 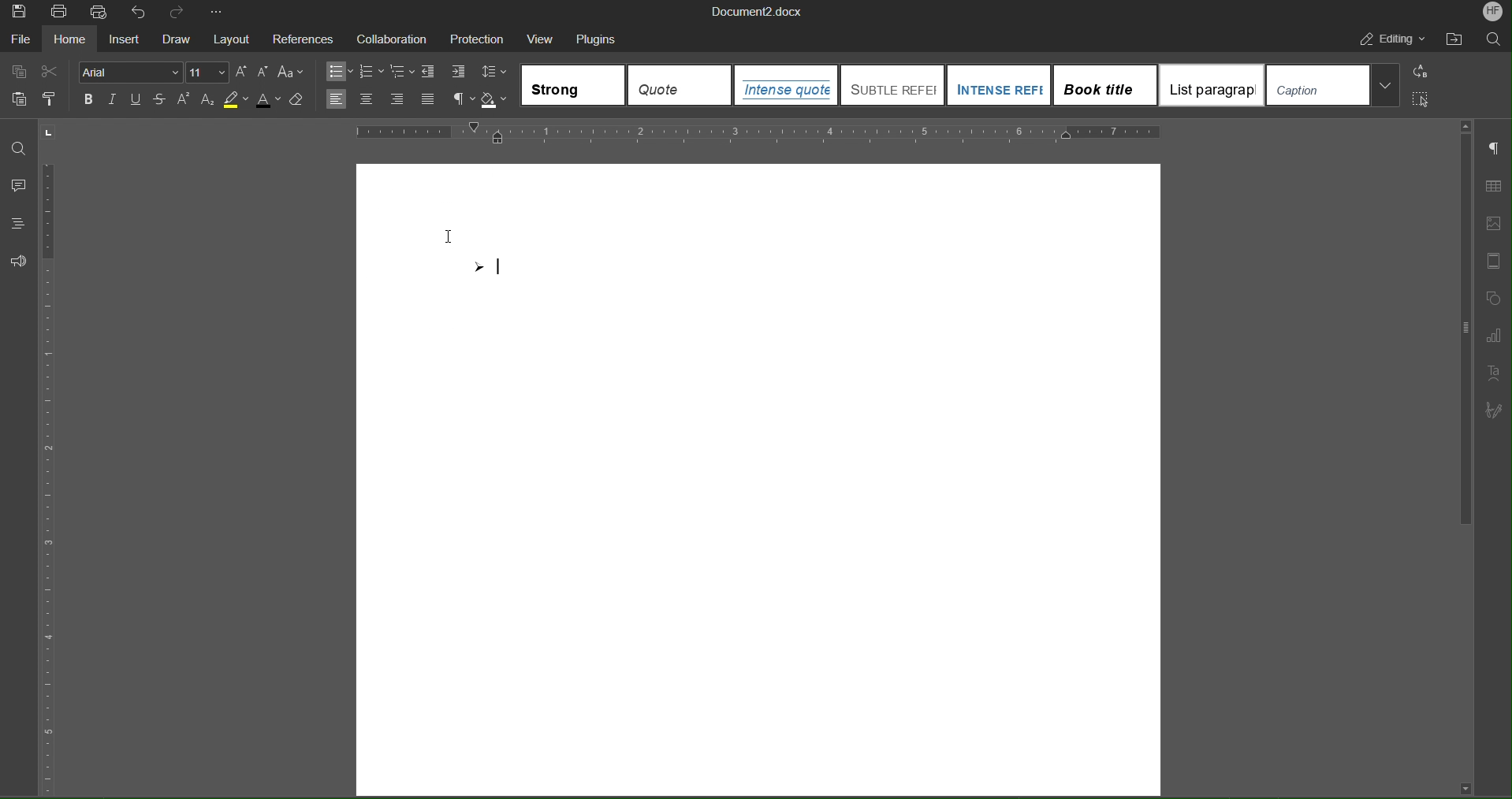 What do you see at coordinates (1393, 39) in the screenshot?
I see `Editing` at bounding box center [1393, 39].